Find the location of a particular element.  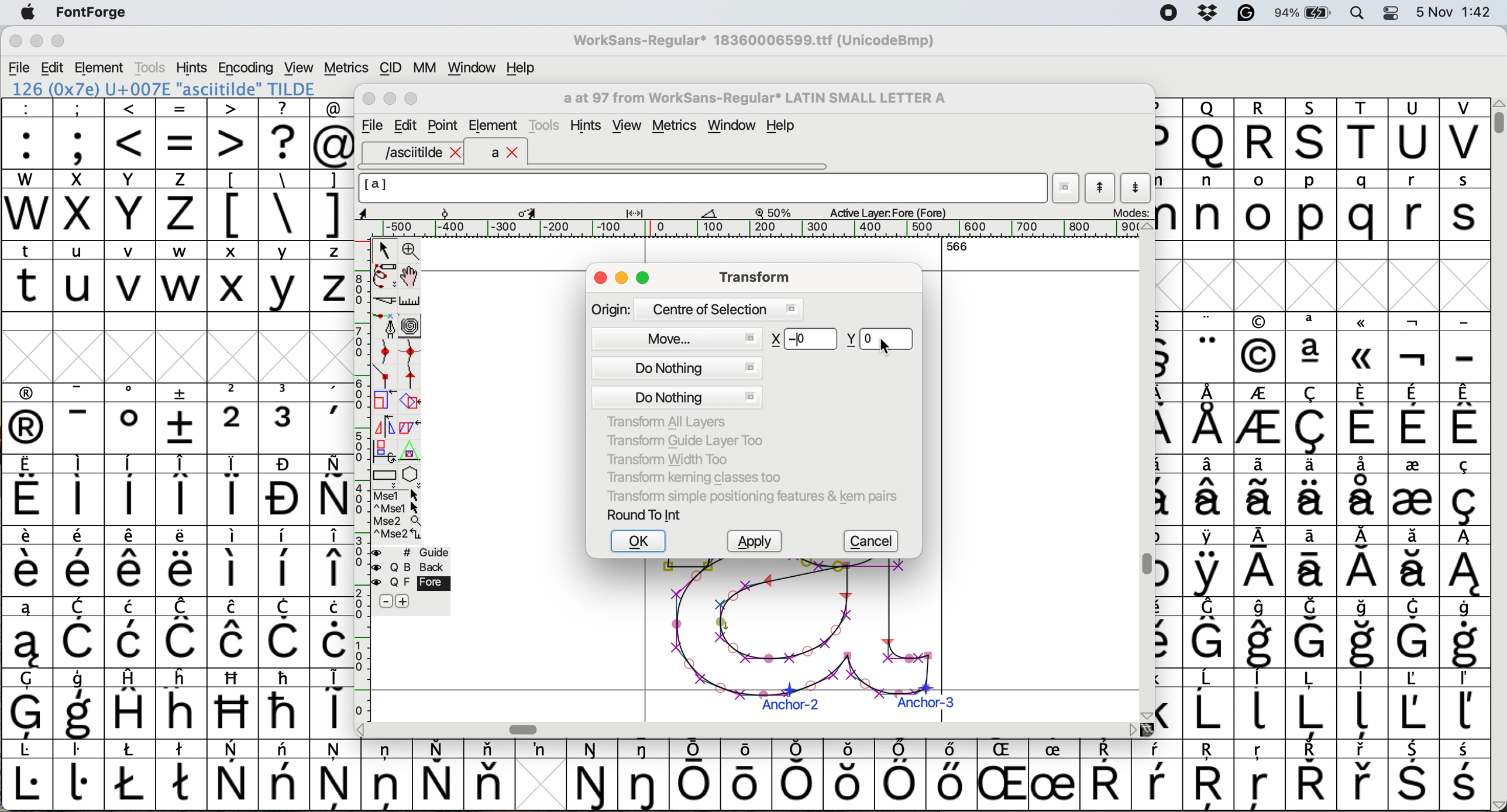

tools is located at coordinates (546, 123).